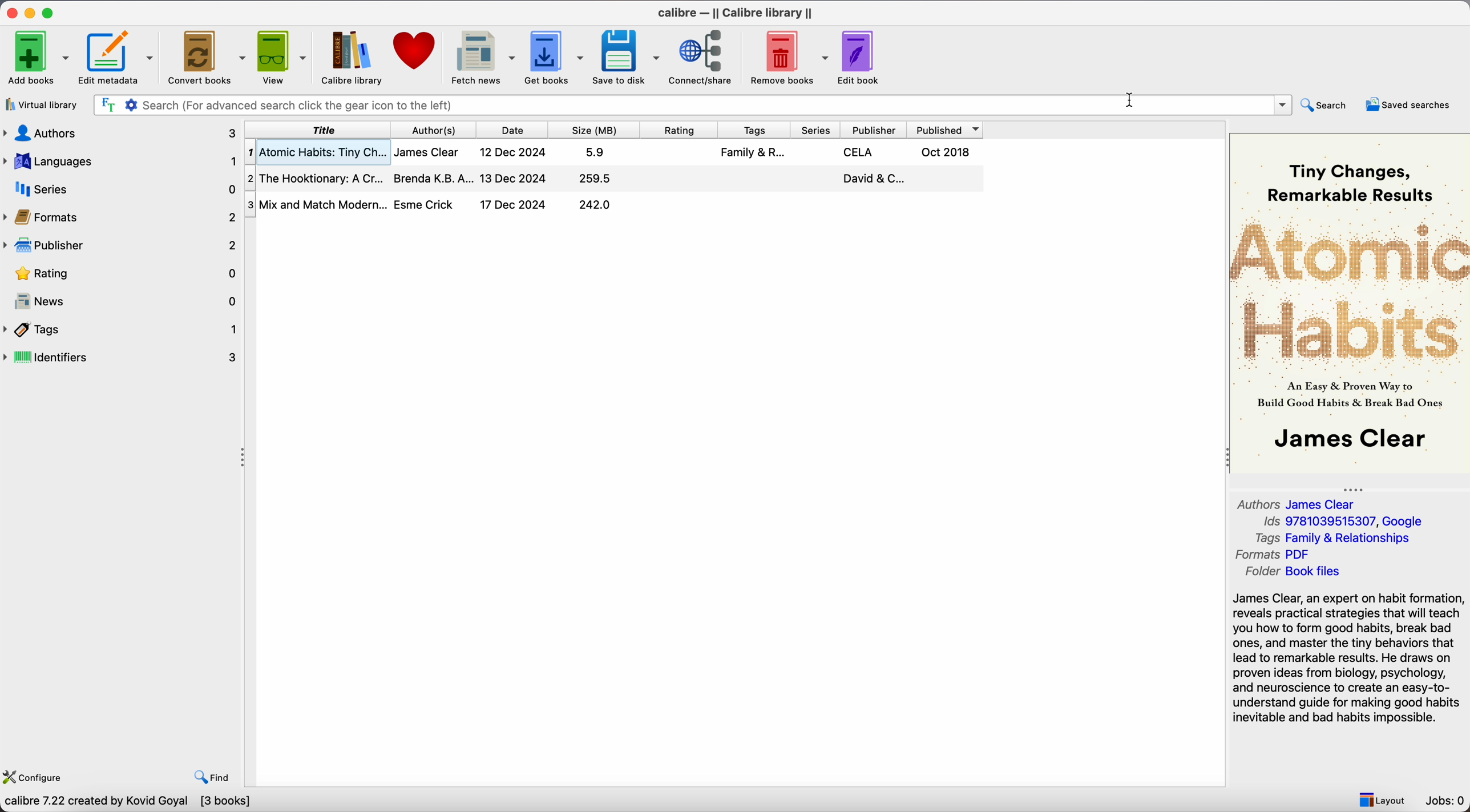 This screenshot has width=1470, height=812. Describe the element at coordinates (349, 57) in the screenshot. I see `Calibre library` at that location.